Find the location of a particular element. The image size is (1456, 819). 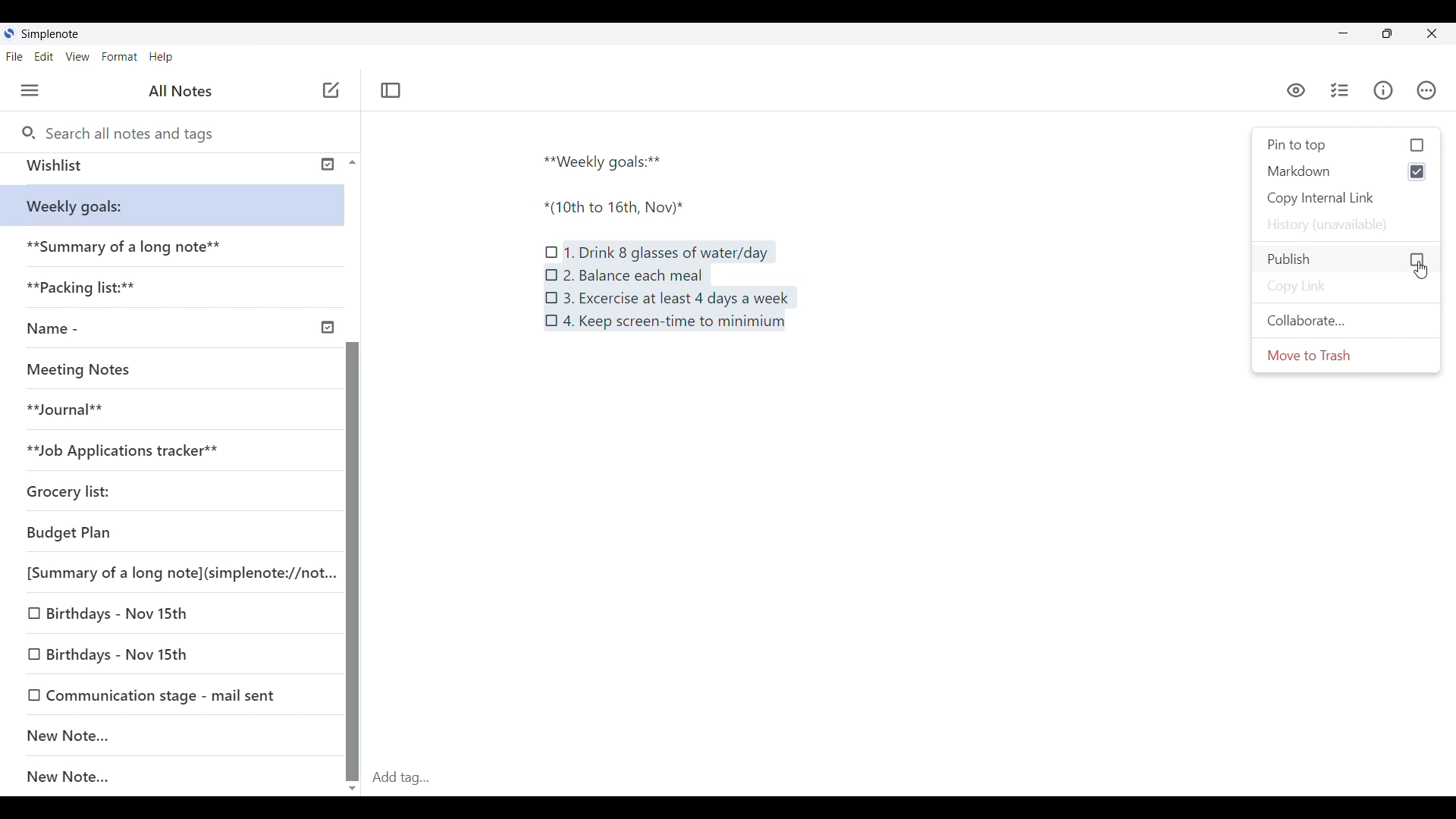

Birthdays - Nov 15th is located at coordinates (153, 616).